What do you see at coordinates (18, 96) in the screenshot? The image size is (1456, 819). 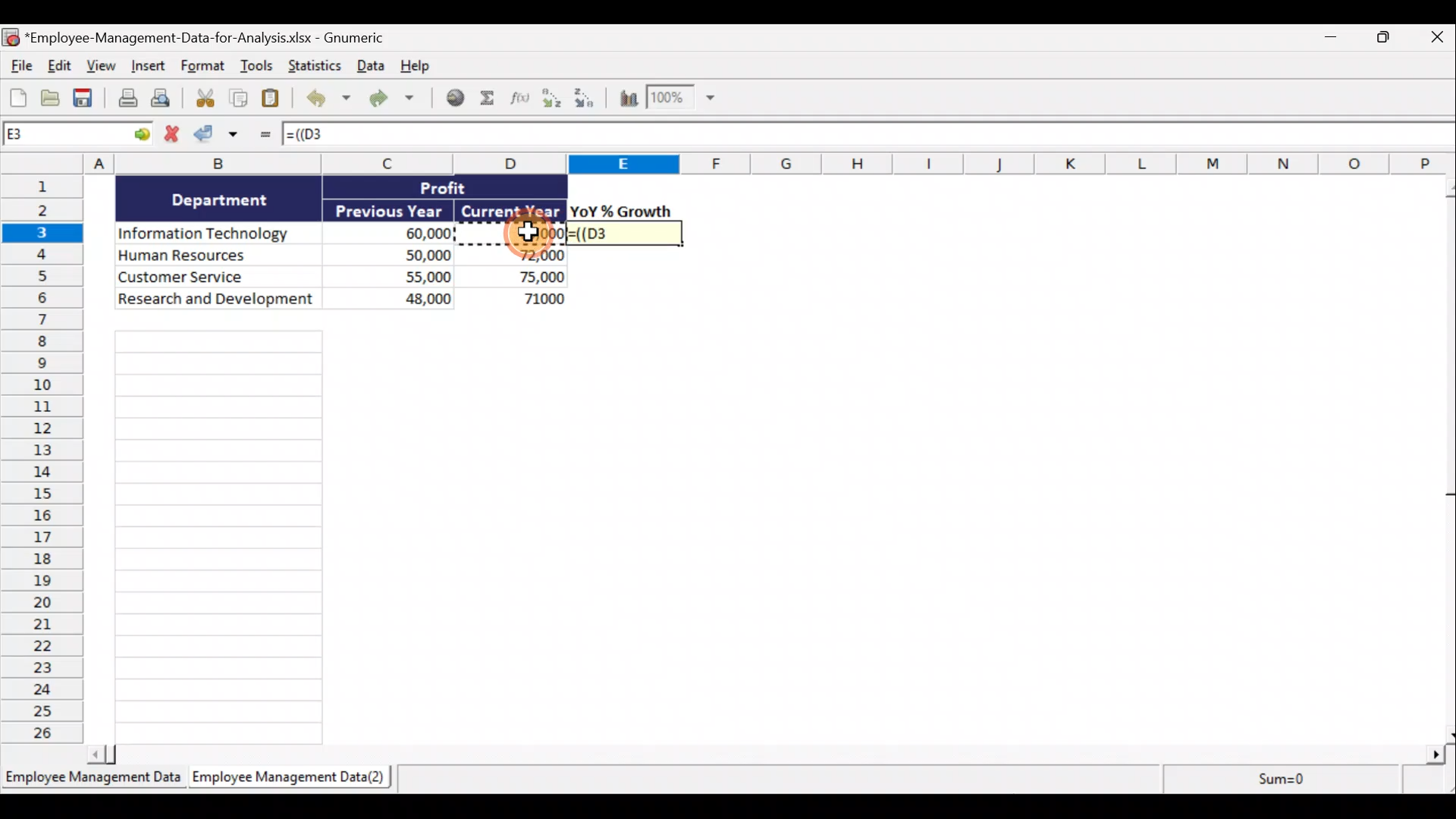 I see `Create a new workbook` at bounding box center [18, 96].